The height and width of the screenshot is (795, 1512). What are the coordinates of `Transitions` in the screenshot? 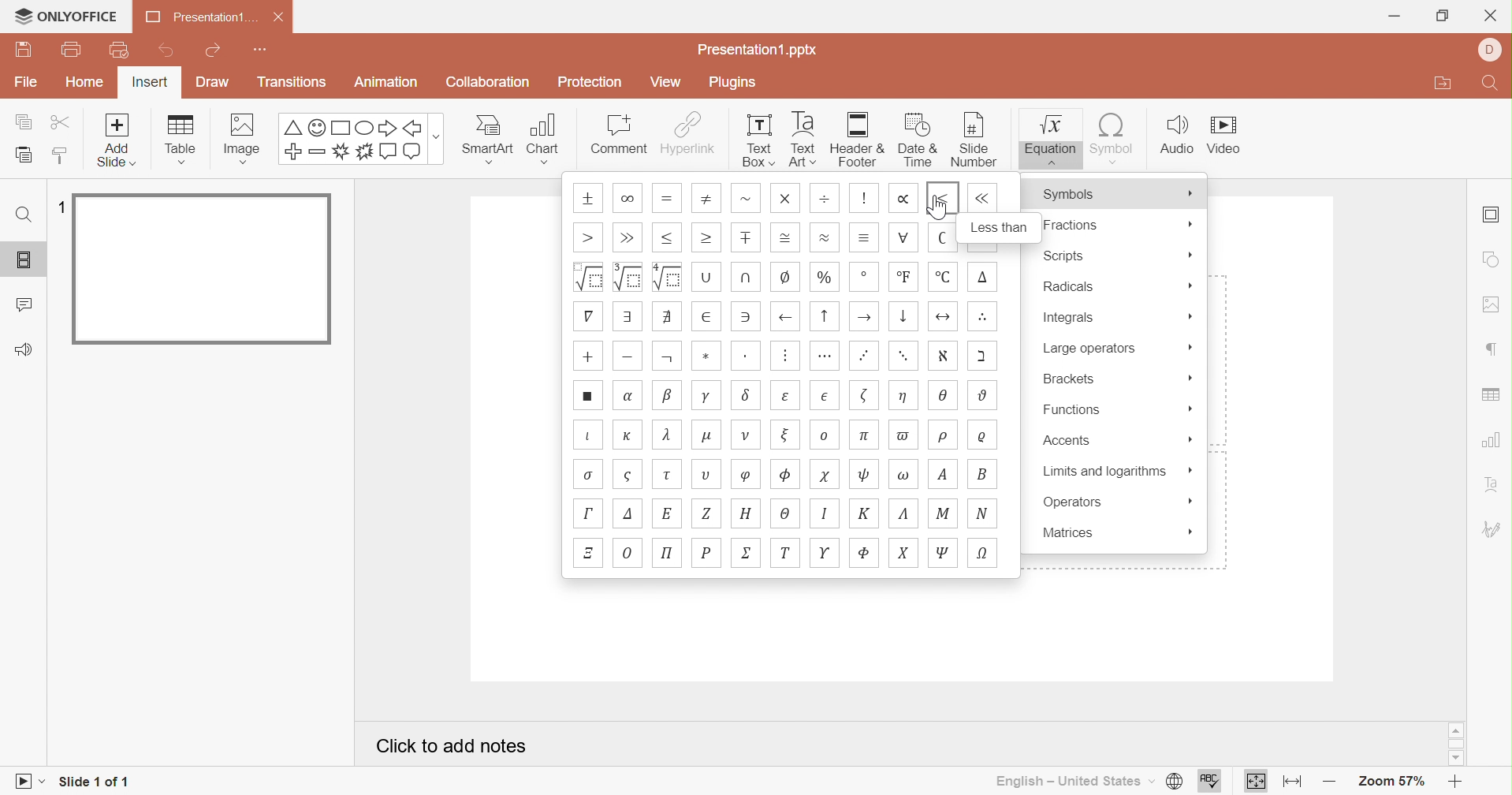 It's located at (292, 82).